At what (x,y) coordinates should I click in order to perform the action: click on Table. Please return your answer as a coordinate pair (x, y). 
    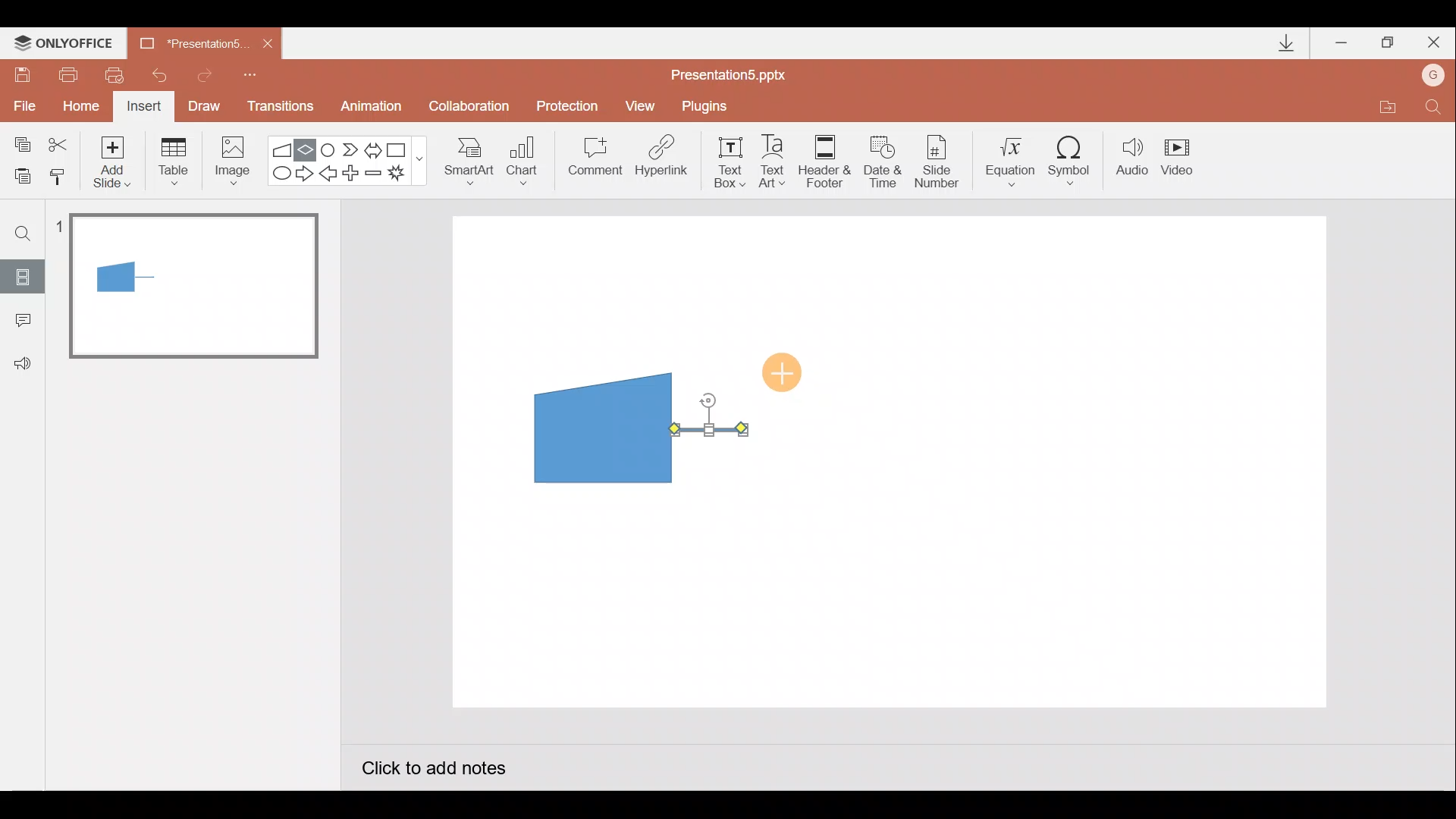
    Looking at the image, I should click on (172, 160).